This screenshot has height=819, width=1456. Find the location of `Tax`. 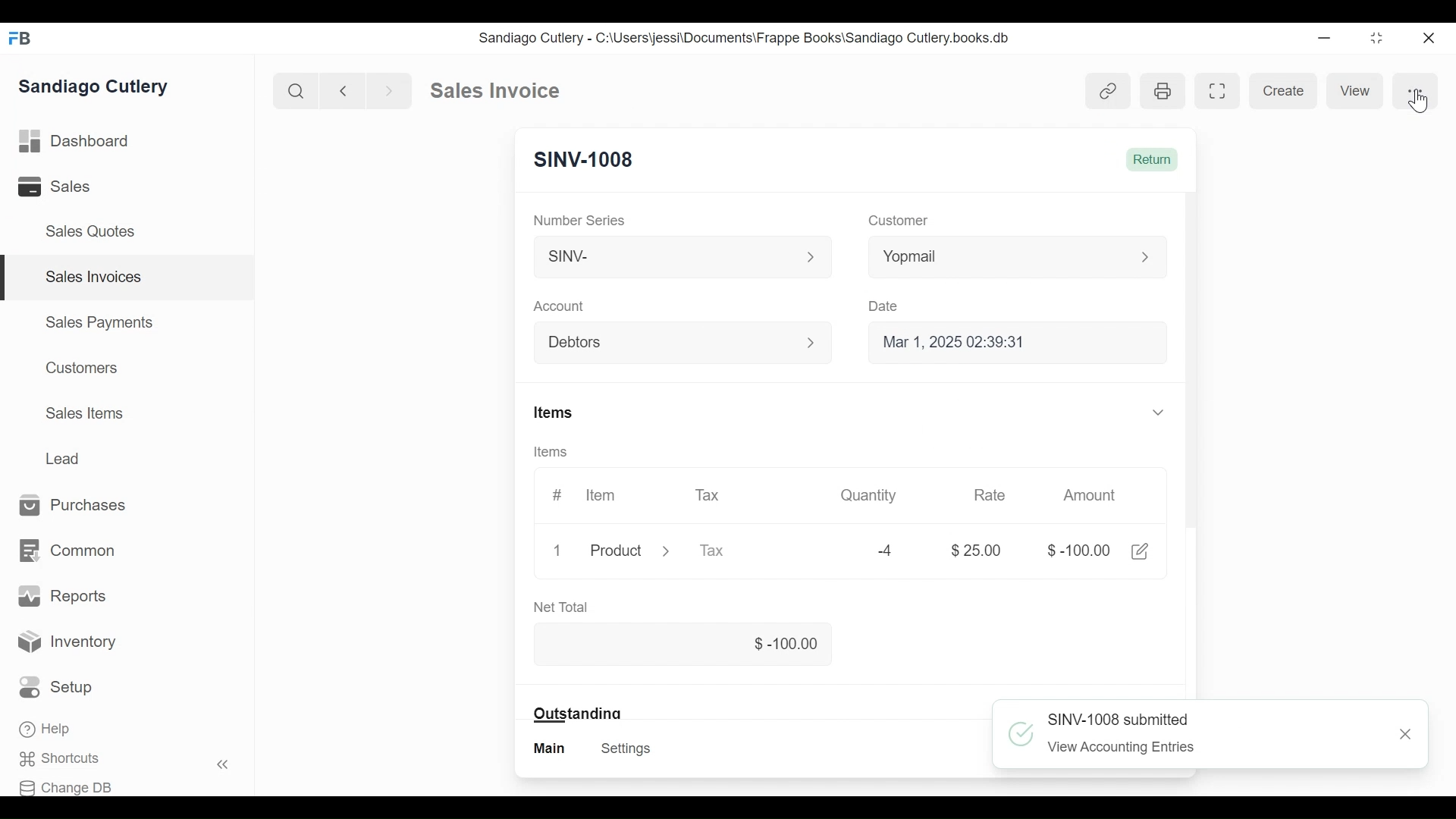

Tax is located at coordinates (713, 551).